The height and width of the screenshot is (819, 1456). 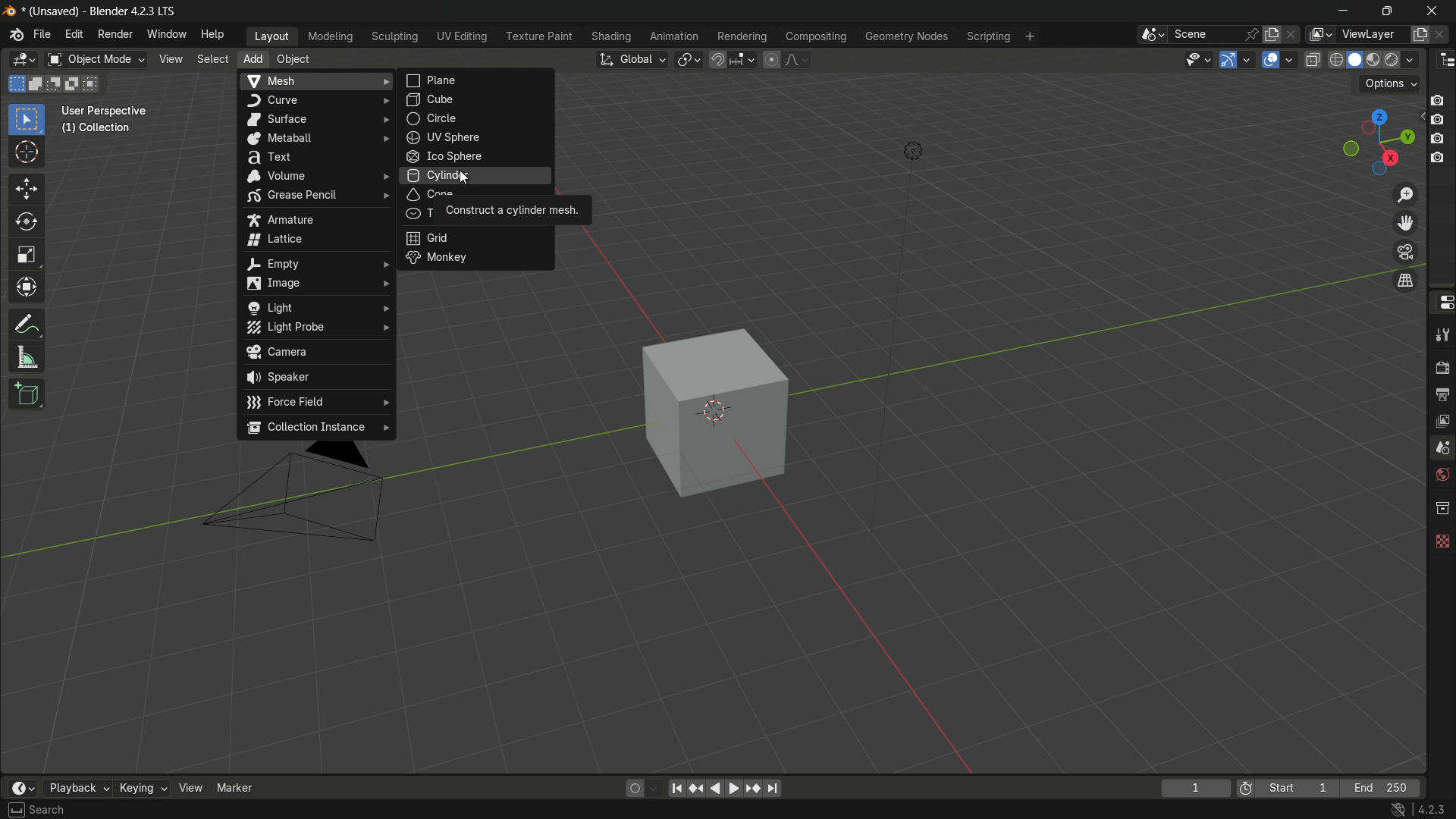 I want to click on foward, so click(x=734, y=788).